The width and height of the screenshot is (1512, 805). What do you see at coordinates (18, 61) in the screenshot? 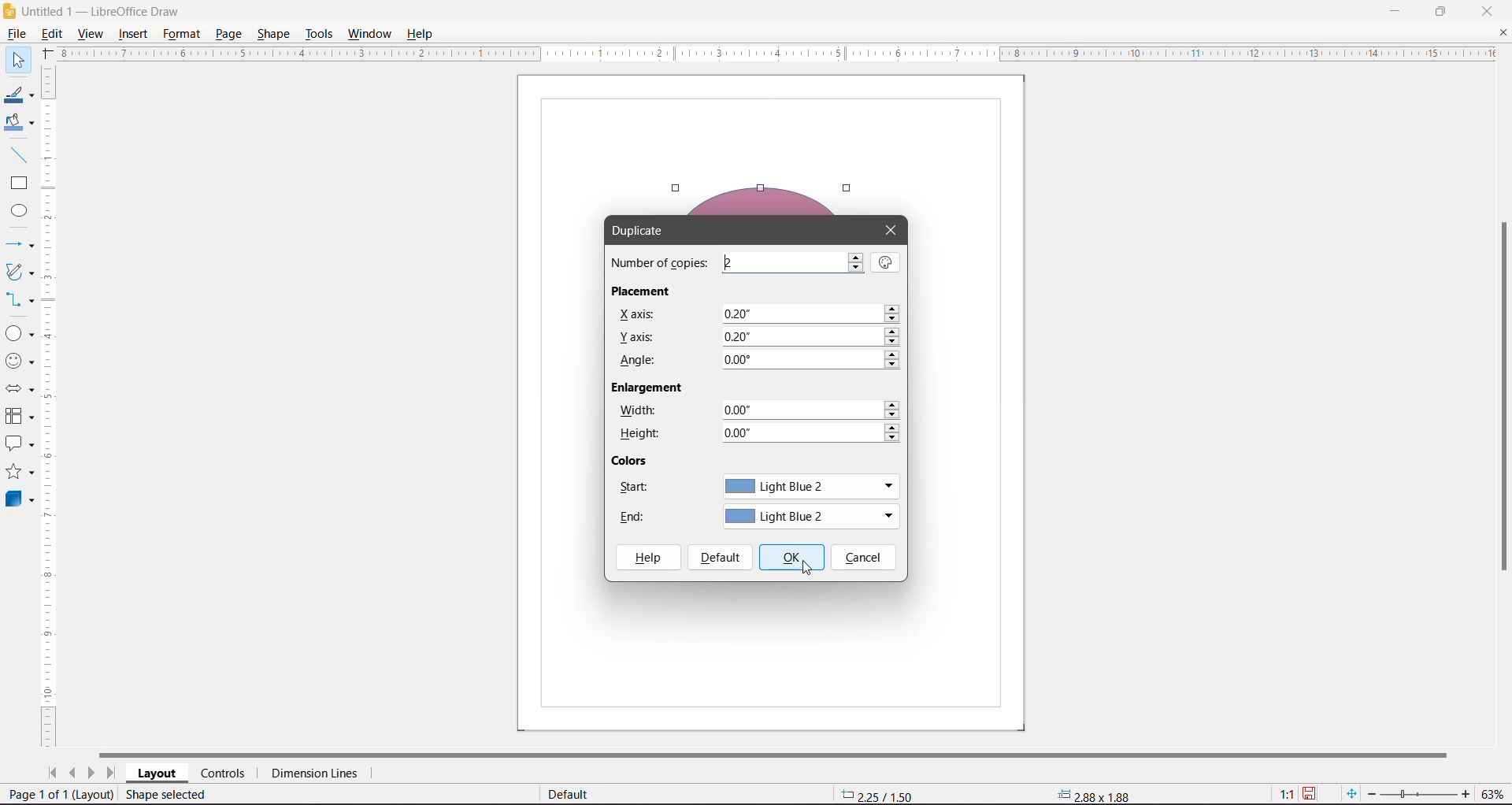
I see `Select Tool` at bounding box center [18, 61].